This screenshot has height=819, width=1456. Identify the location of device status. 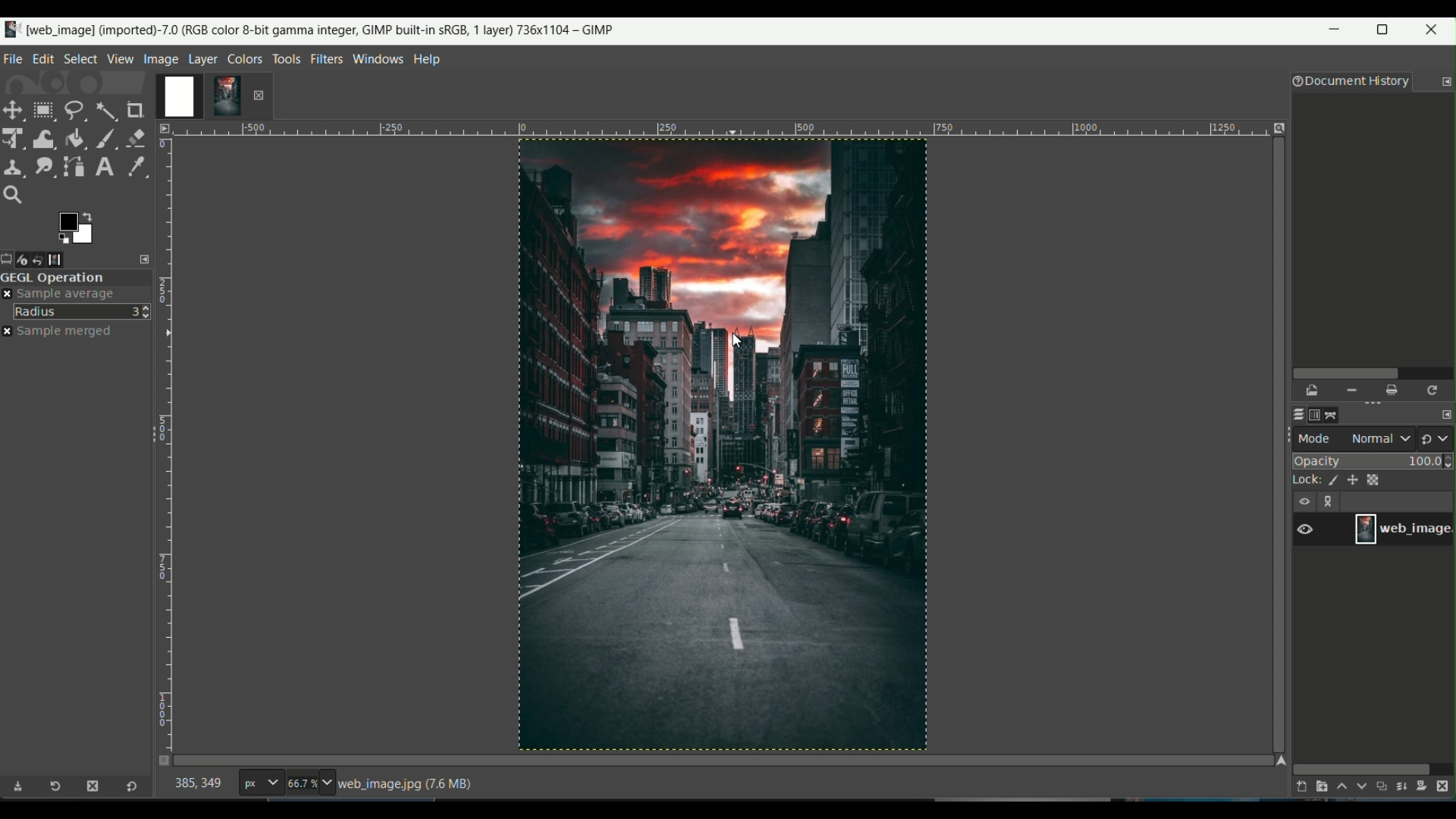
(28, 259).